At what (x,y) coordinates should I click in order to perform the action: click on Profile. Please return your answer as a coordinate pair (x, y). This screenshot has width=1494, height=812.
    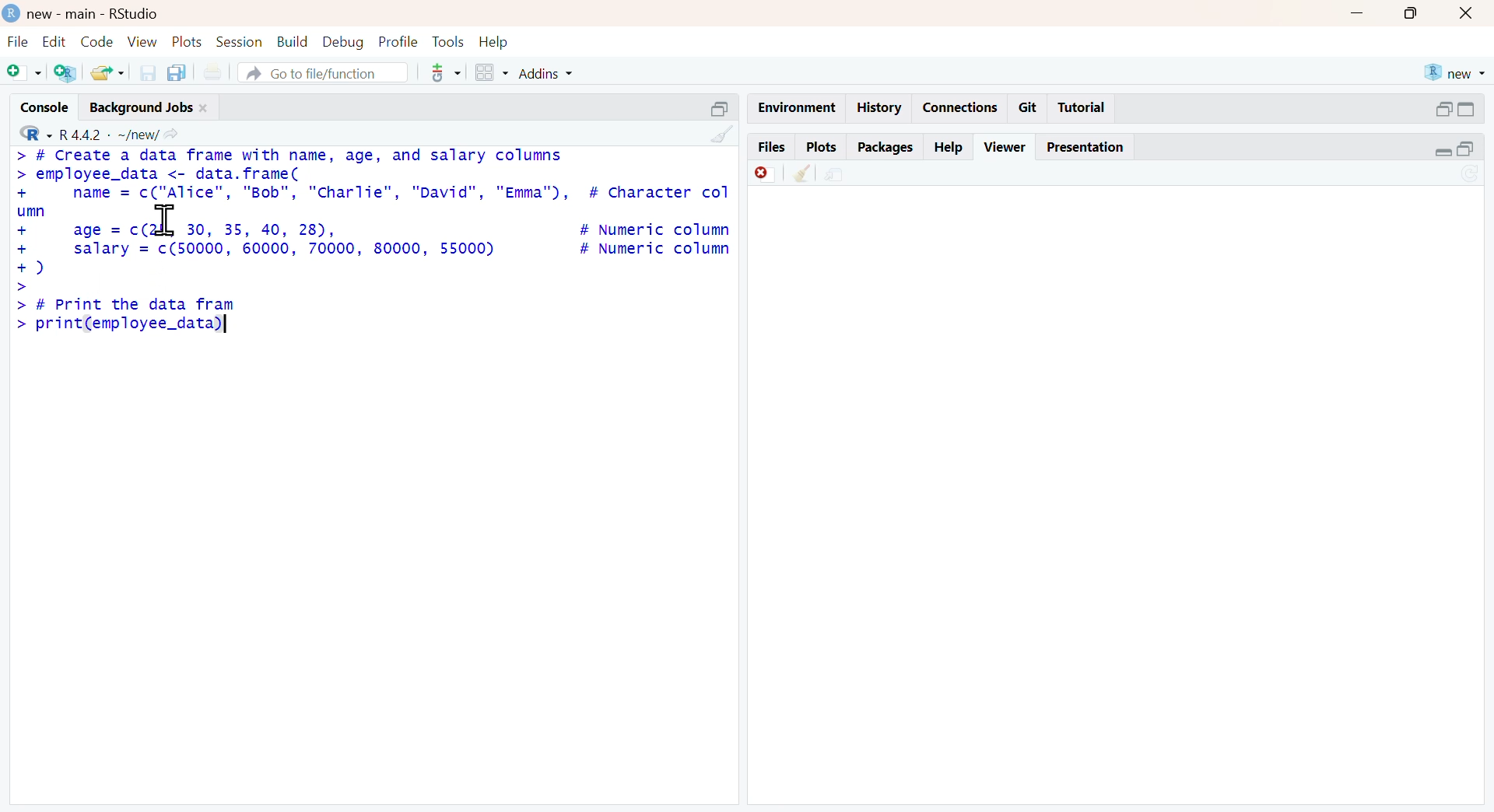
    Looking at the image, I should click on (398, 42).